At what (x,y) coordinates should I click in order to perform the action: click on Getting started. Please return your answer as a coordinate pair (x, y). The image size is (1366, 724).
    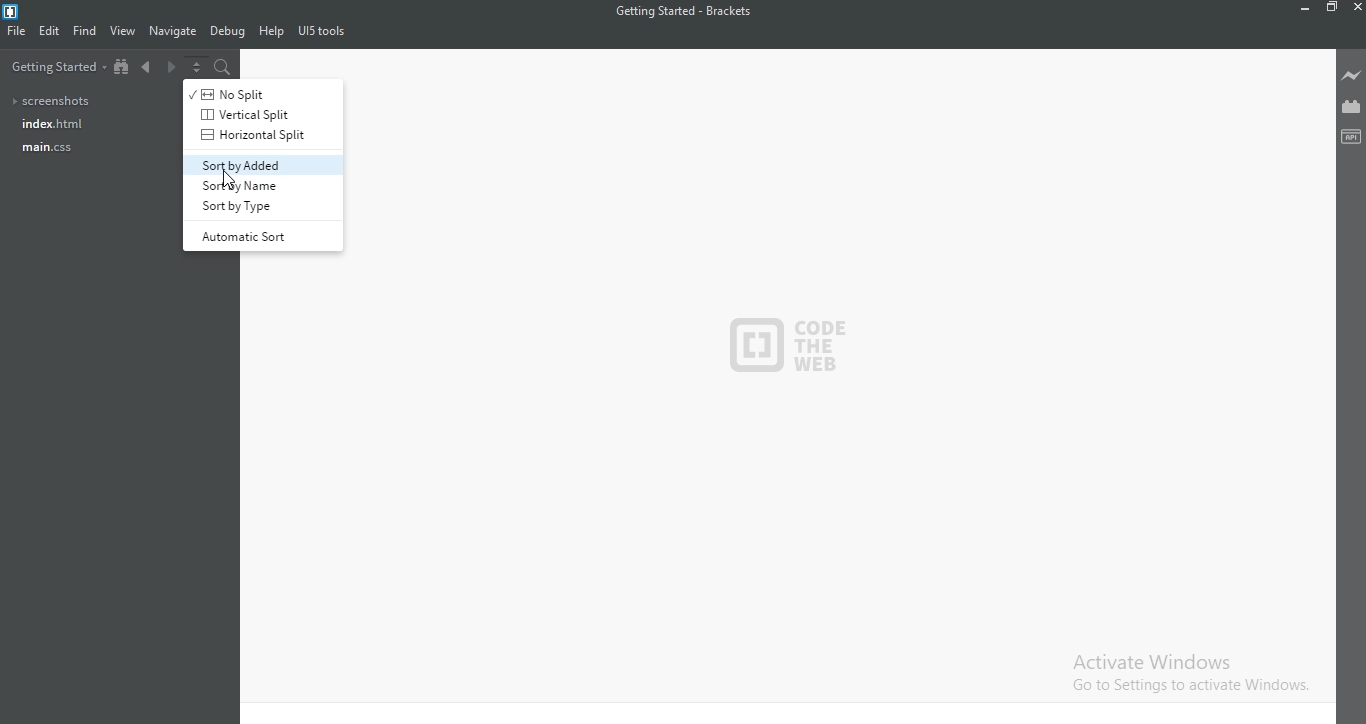
    Looking at the image, I should click on (55, 70).